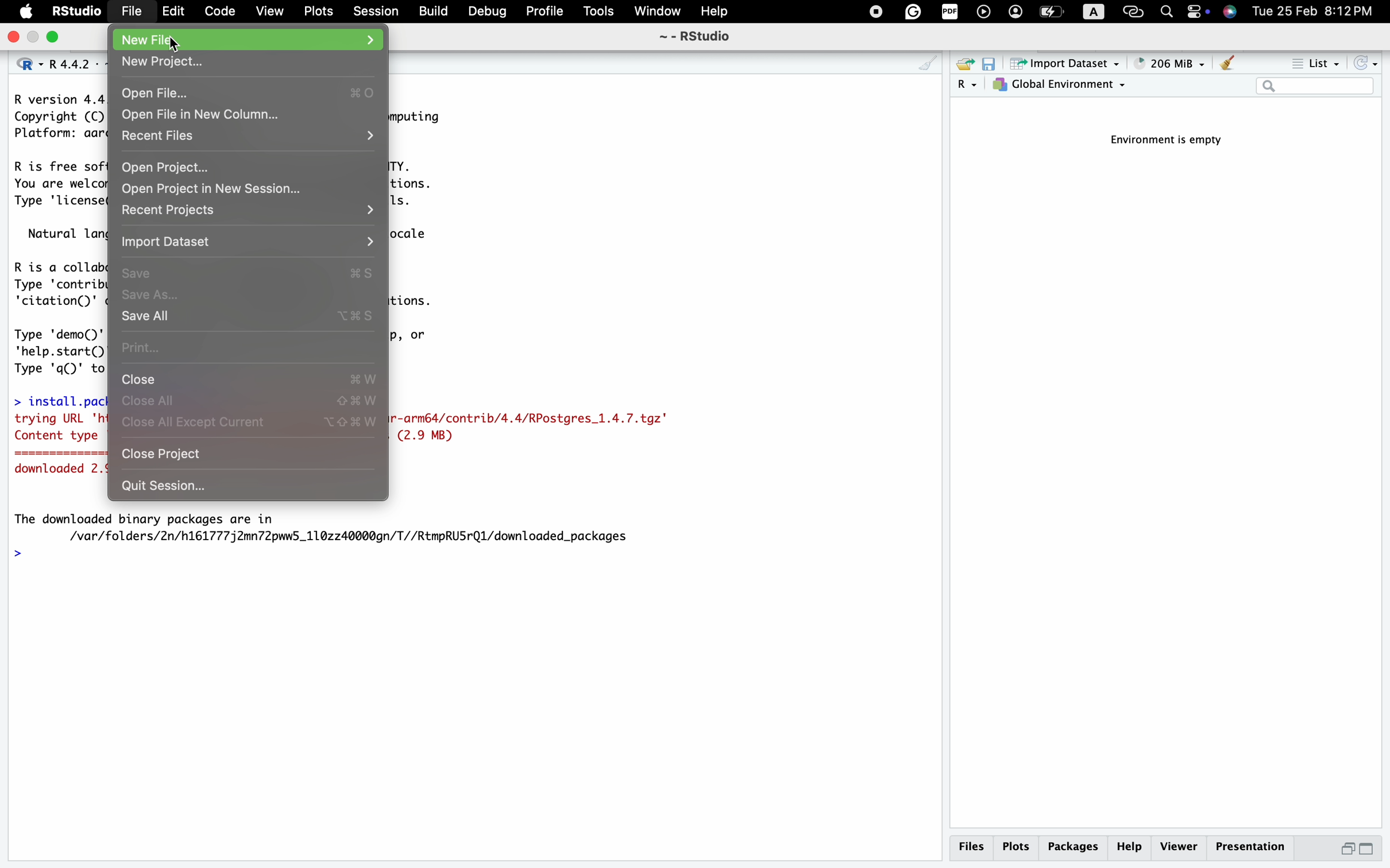  Describe the element at coordinates (57, 471) in the screenshot. I see `downloaded 2.9 MB` at that location.